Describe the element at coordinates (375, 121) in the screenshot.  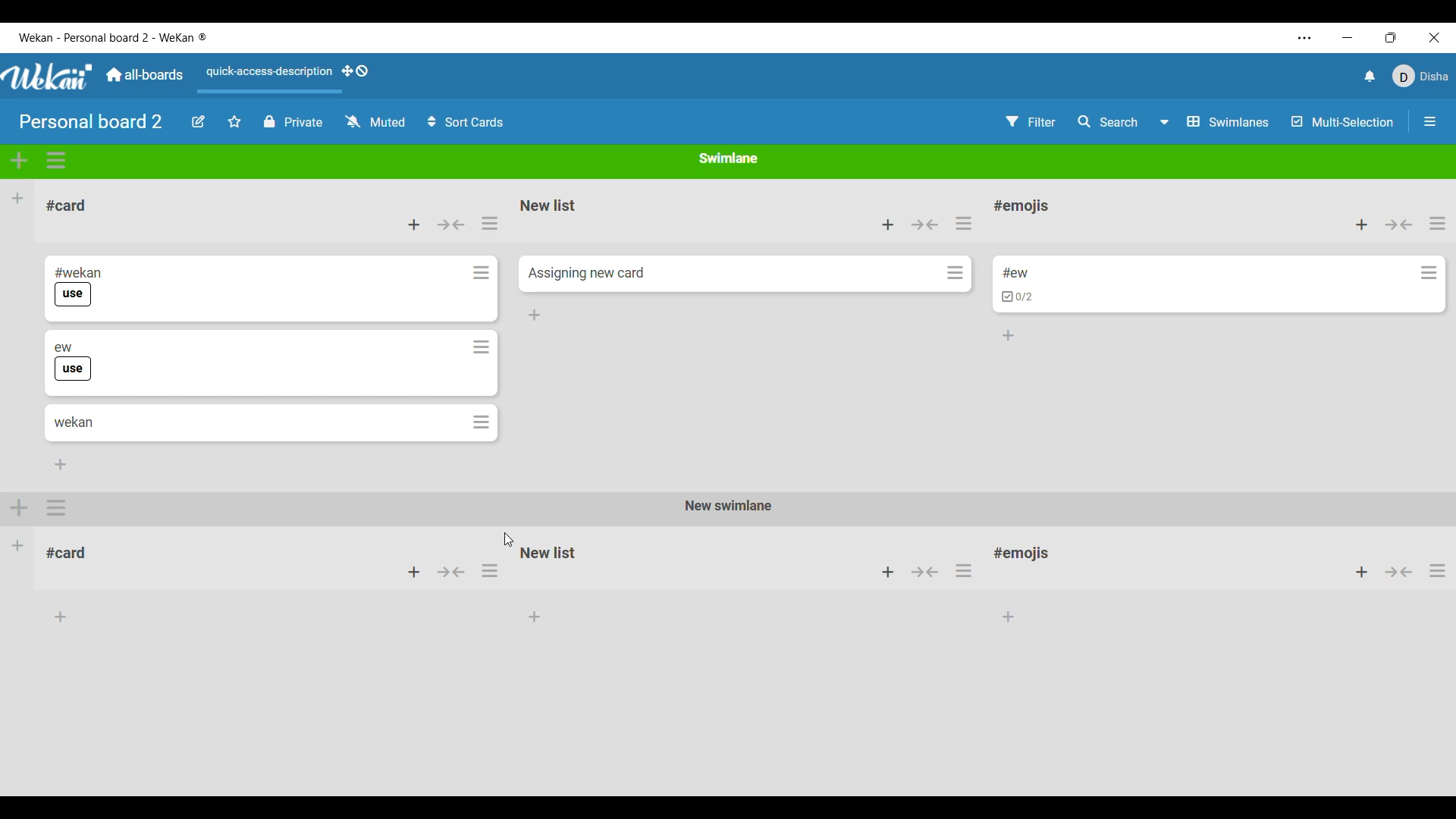
I see `Change watch options` at that location.